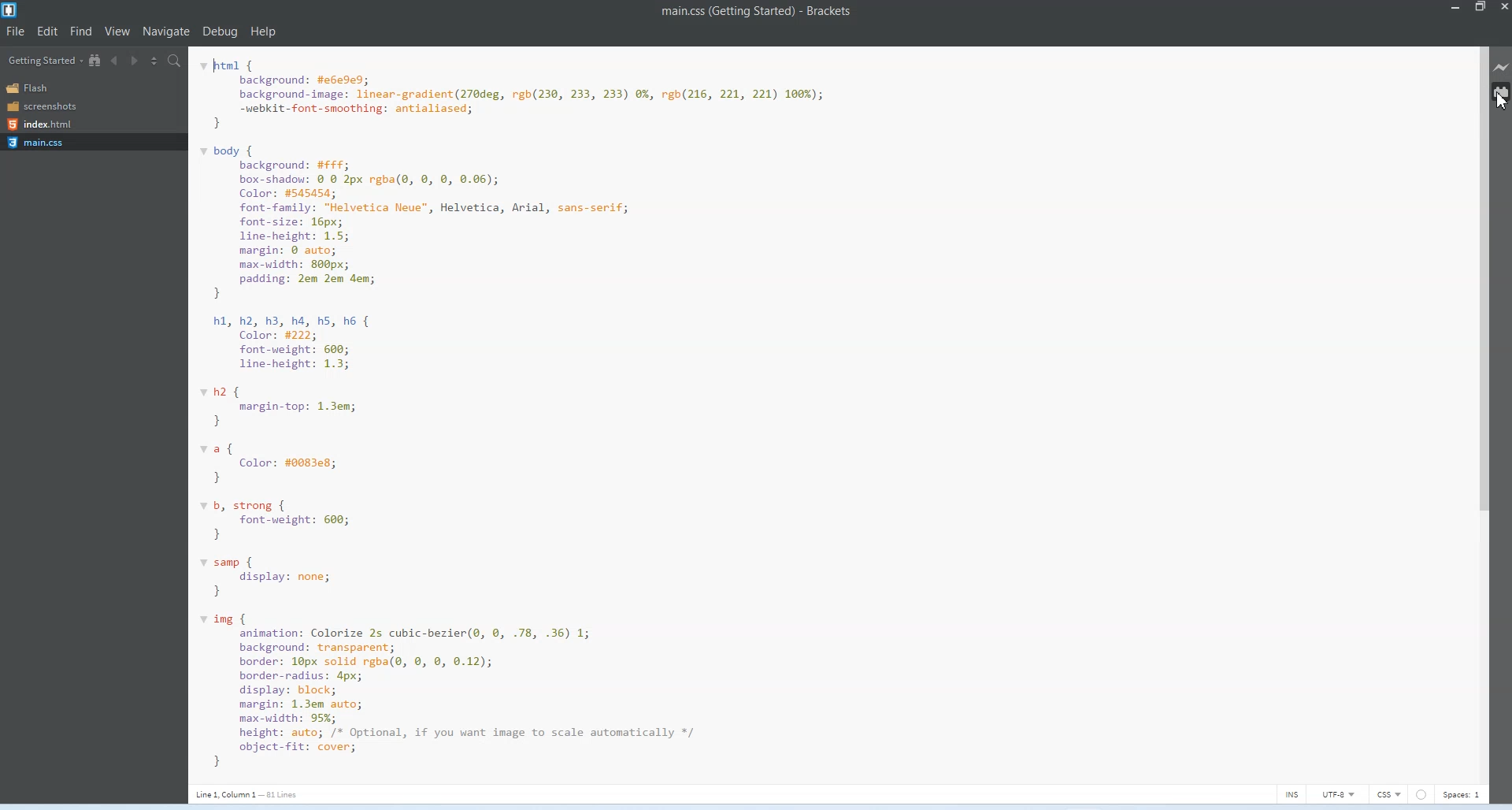 Image resolution: width=1512 pixels, height=810 pixels. I want to click on Main.css, so click(37, 143).